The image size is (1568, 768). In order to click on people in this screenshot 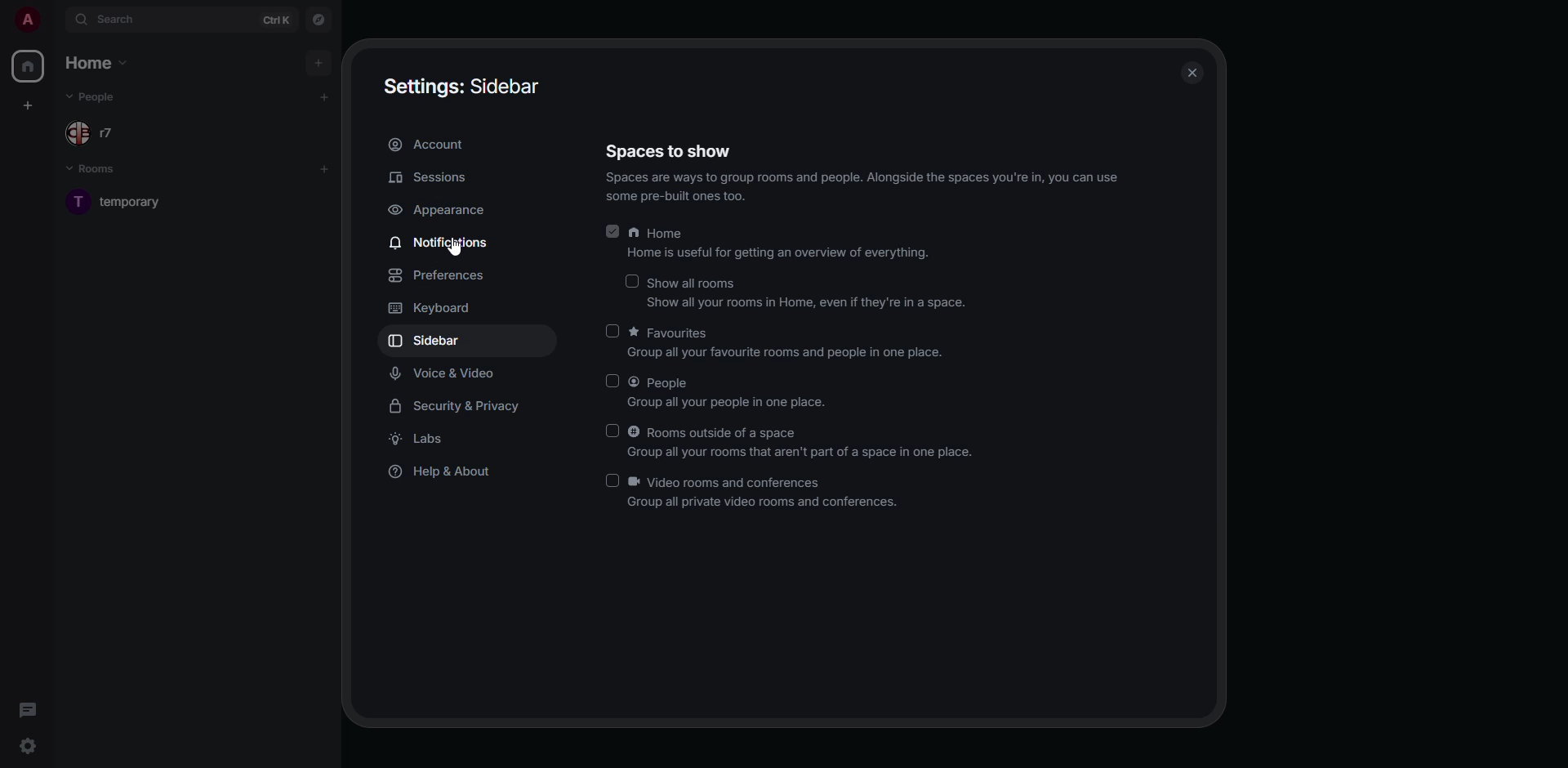, I will do `click(728, 393)`.